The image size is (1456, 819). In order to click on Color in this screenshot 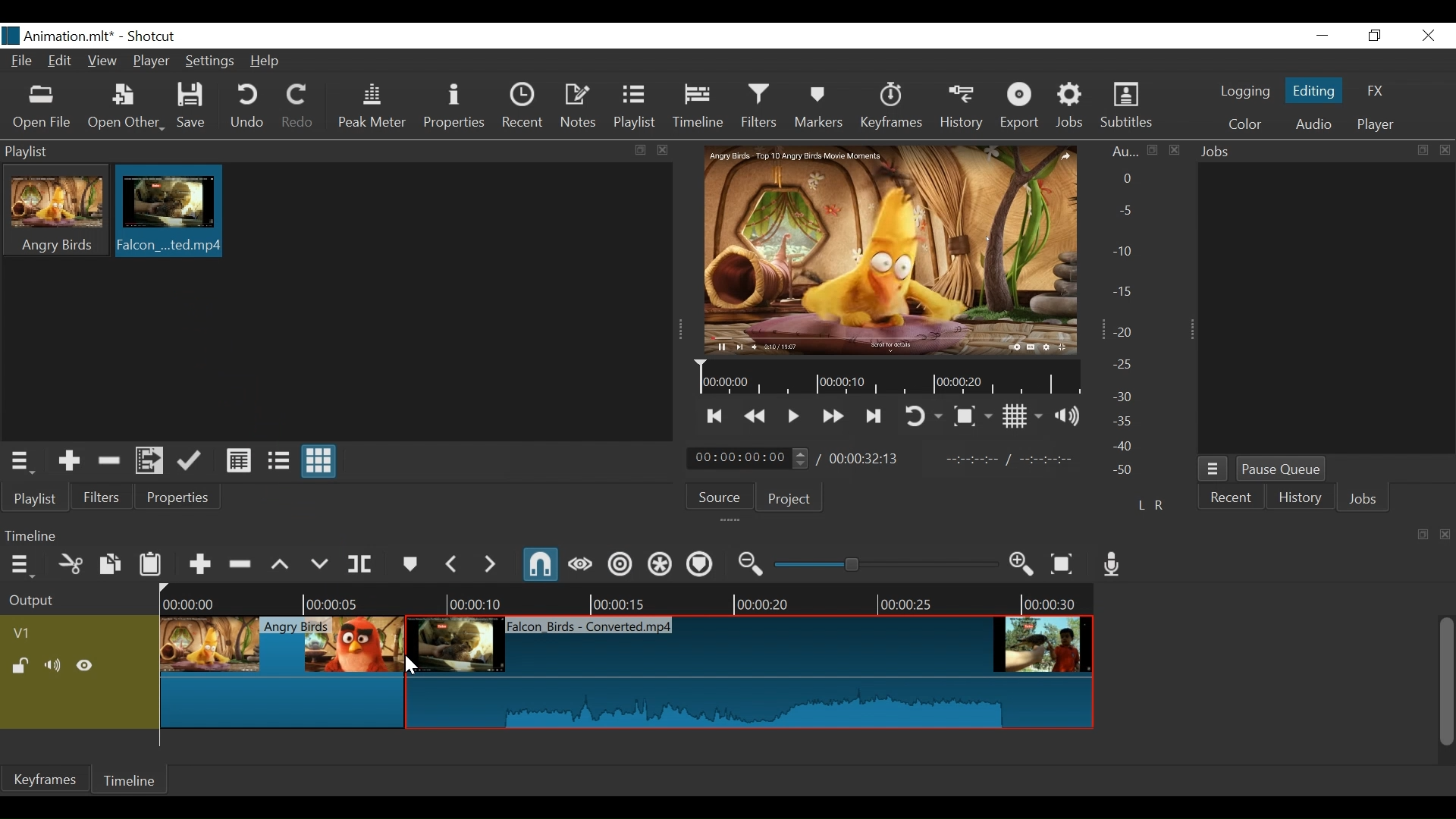, I will do `click(1248, 124)`.